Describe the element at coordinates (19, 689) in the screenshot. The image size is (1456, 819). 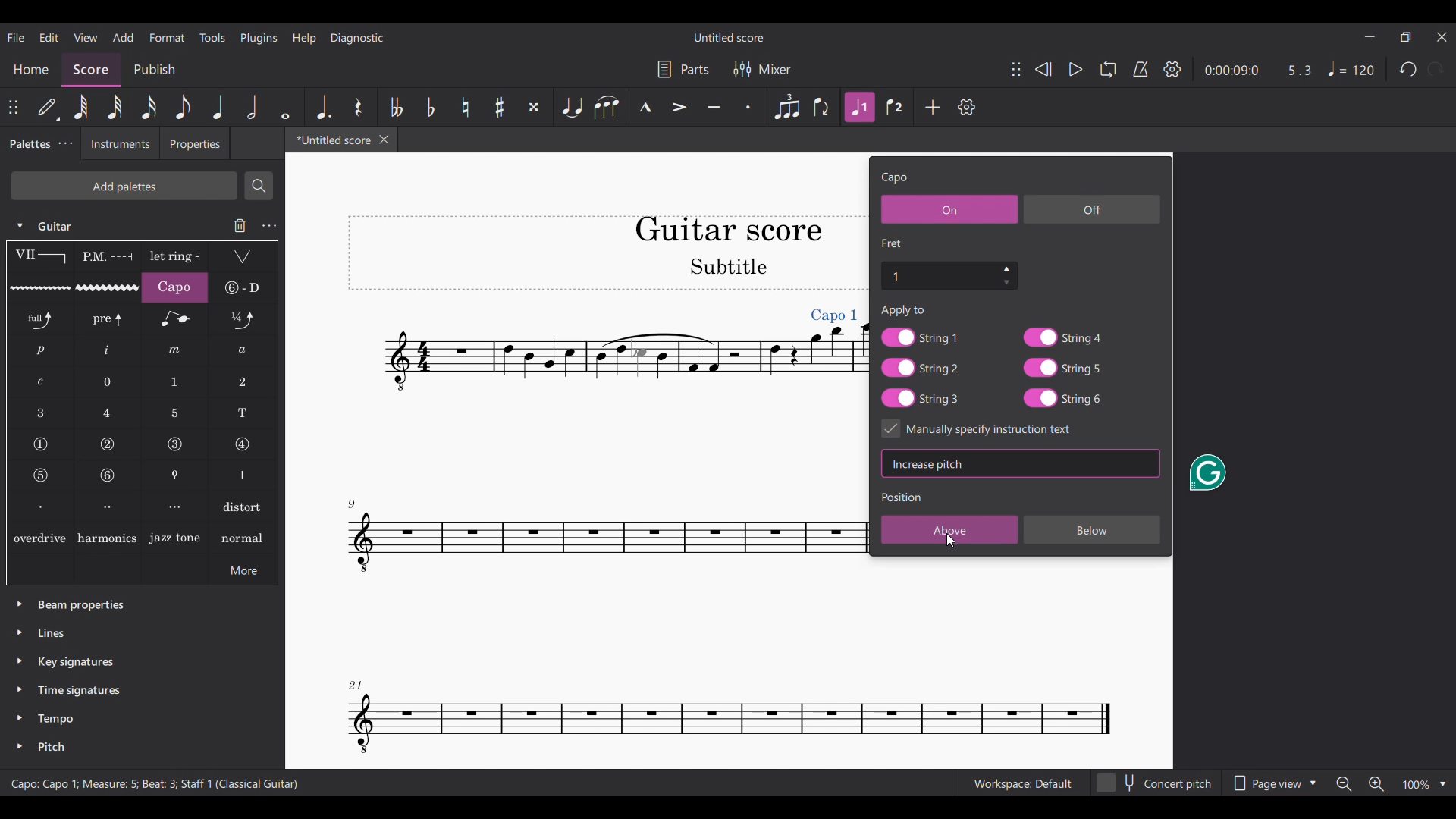
I see `Click to expand time signatures palette` at that location.